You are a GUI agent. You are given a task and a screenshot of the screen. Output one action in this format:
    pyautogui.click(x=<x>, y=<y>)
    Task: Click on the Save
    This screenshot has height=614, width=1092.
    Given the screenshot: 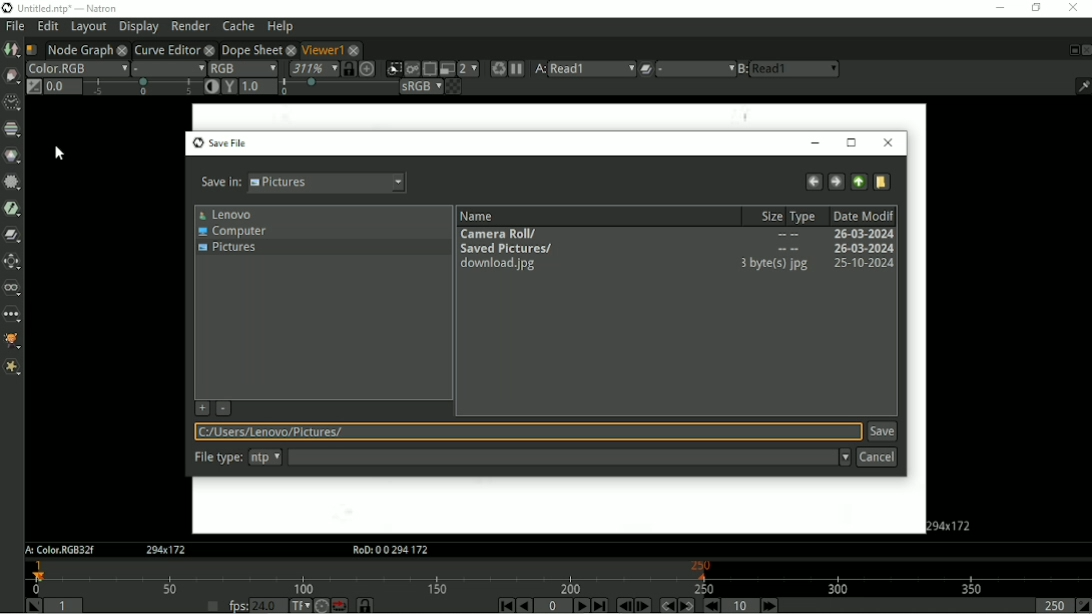 What is the action you would take?
    pyautogui.click(x=882, y=431)
    